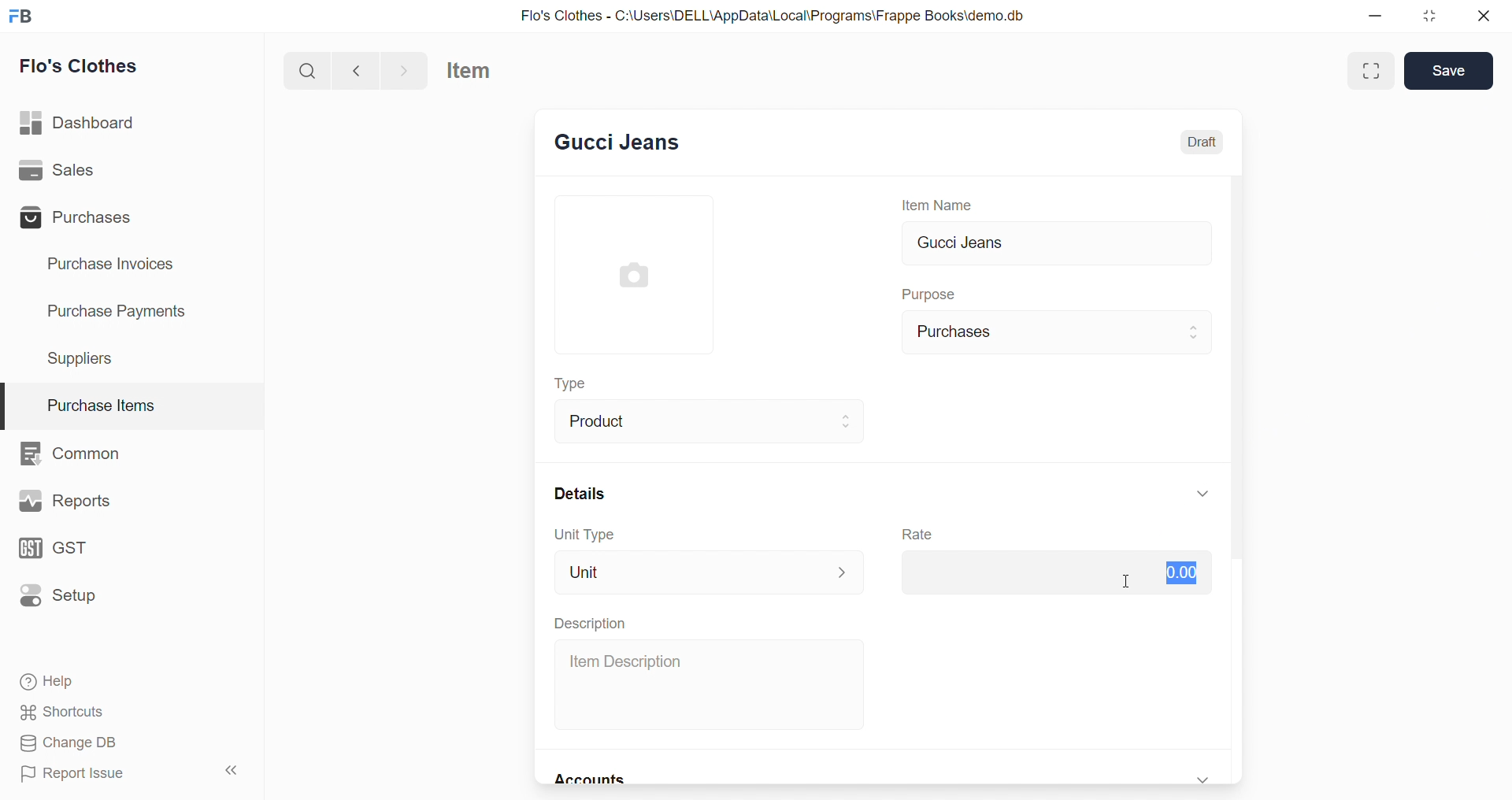  Describe the element at coordinates (1243, 480) in the screenshot. I see `scroll bar` at that location.